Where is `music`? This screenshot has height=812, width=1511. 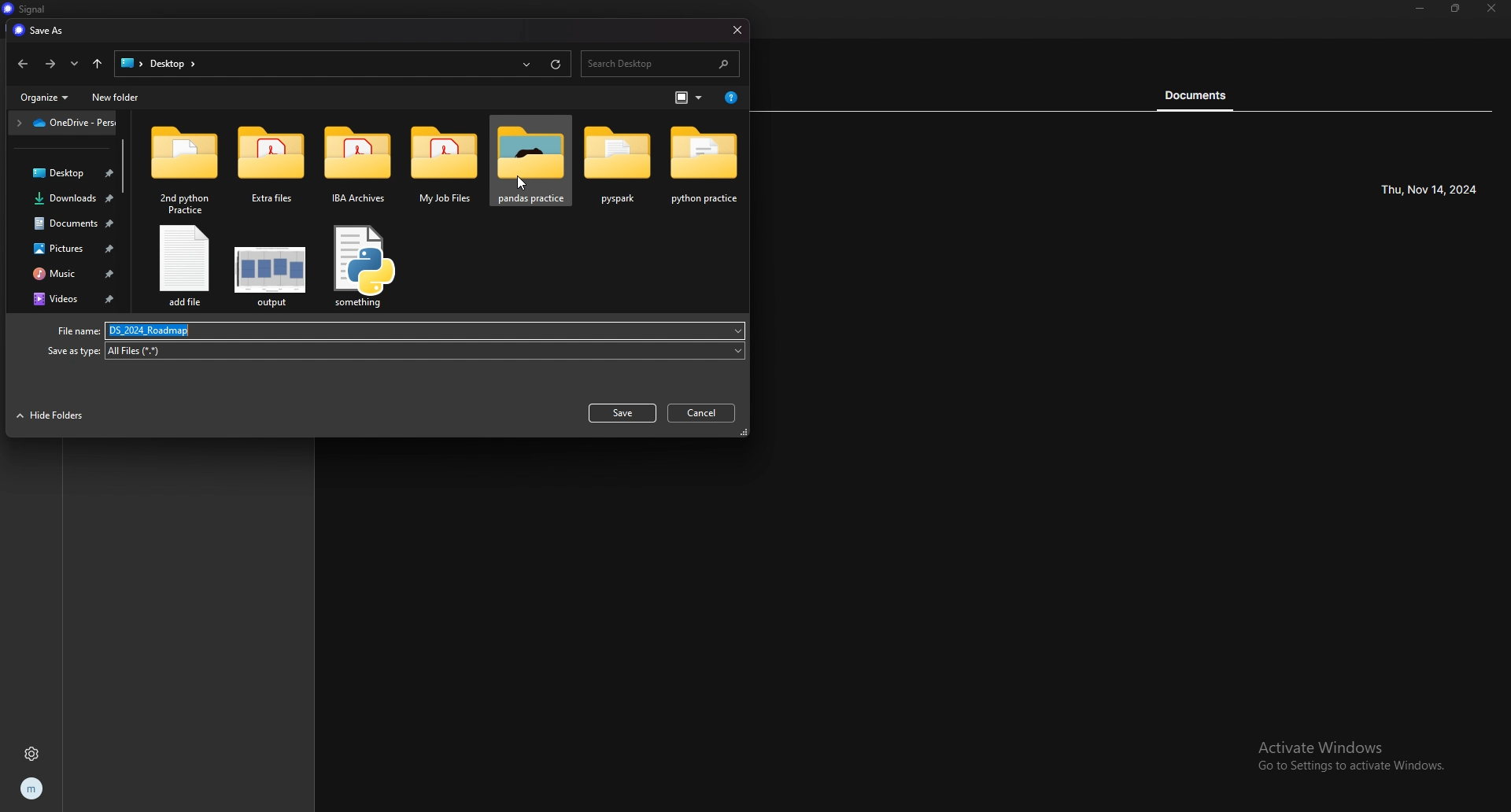
music is located at coordinates (69, 273).